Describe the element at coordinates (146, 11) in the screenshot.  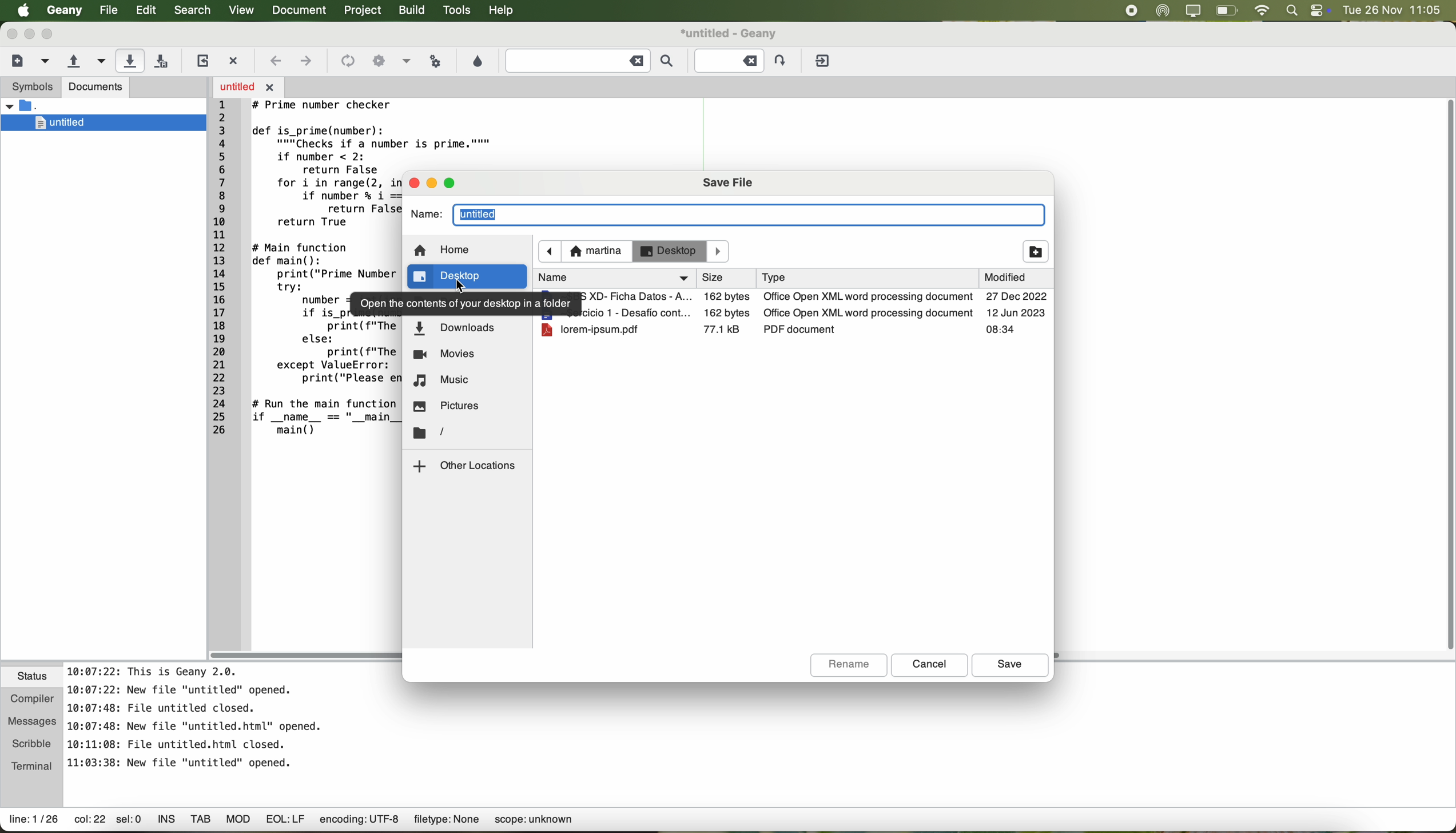
I see `edit` at that location.